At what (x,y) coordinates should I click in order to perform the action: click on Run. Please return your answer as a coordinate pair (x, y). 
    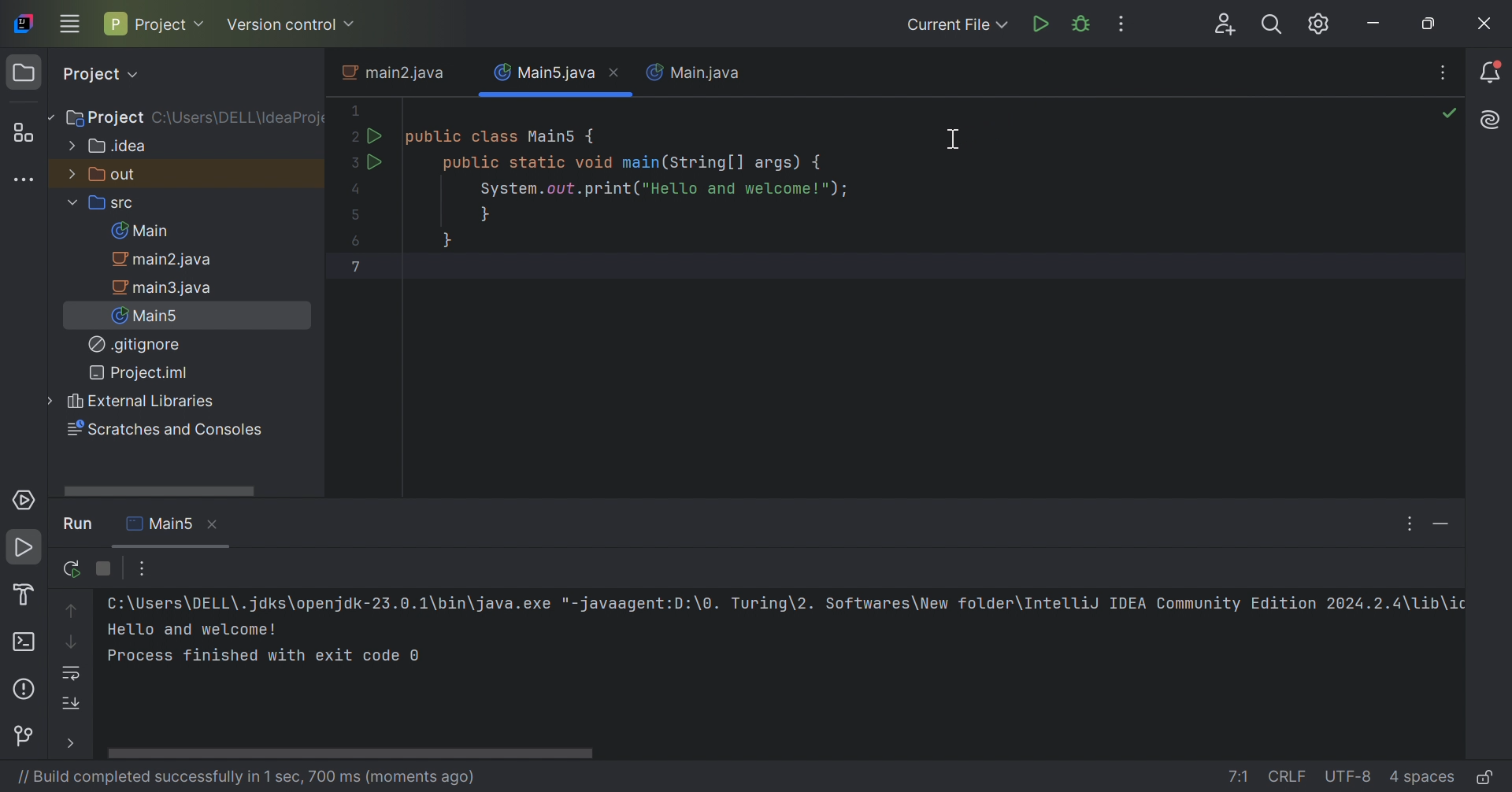
    Looking at the image, I should click on (78, 524).